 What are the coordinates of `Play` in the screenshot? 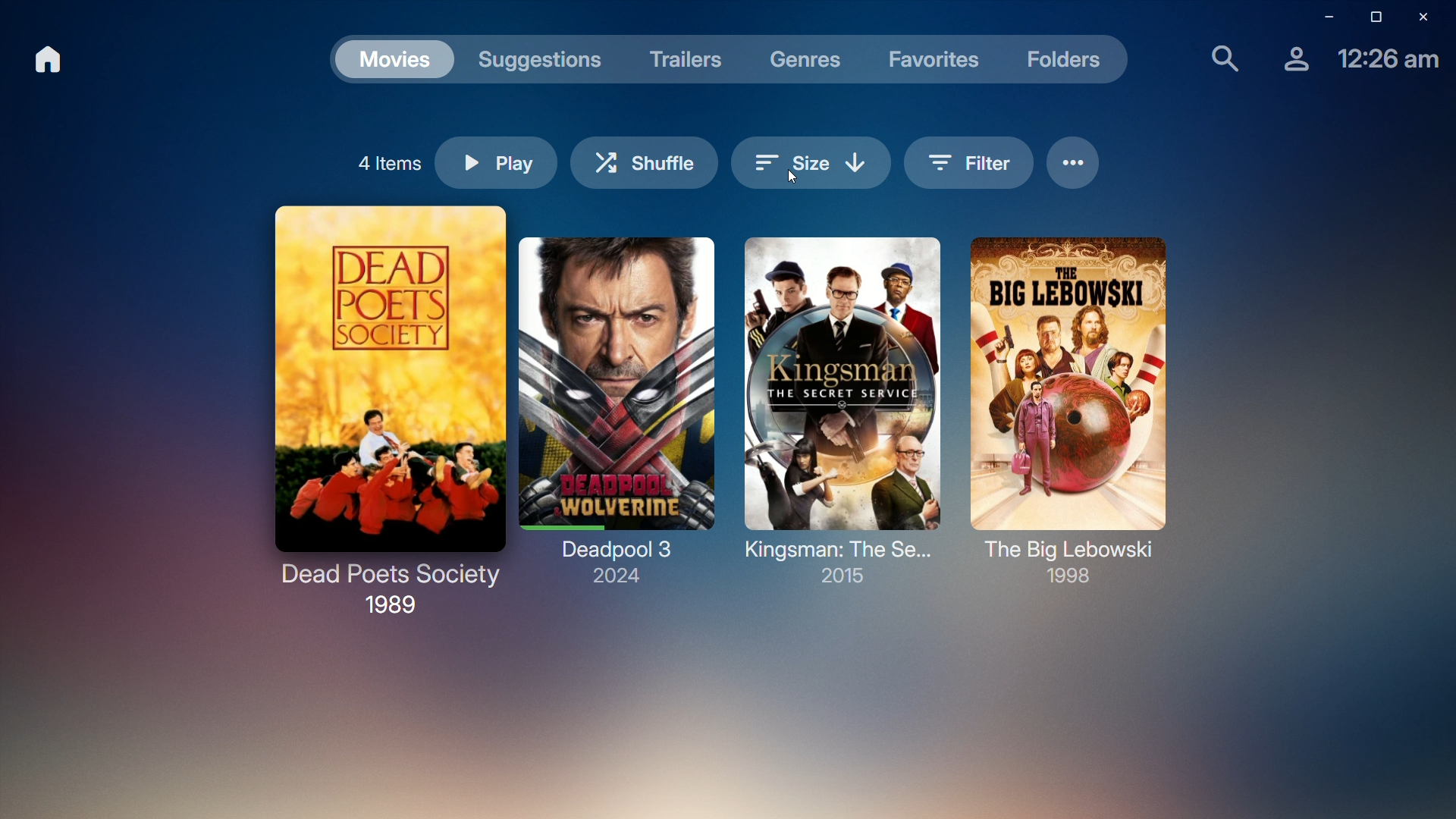 It's located at (498, 164).